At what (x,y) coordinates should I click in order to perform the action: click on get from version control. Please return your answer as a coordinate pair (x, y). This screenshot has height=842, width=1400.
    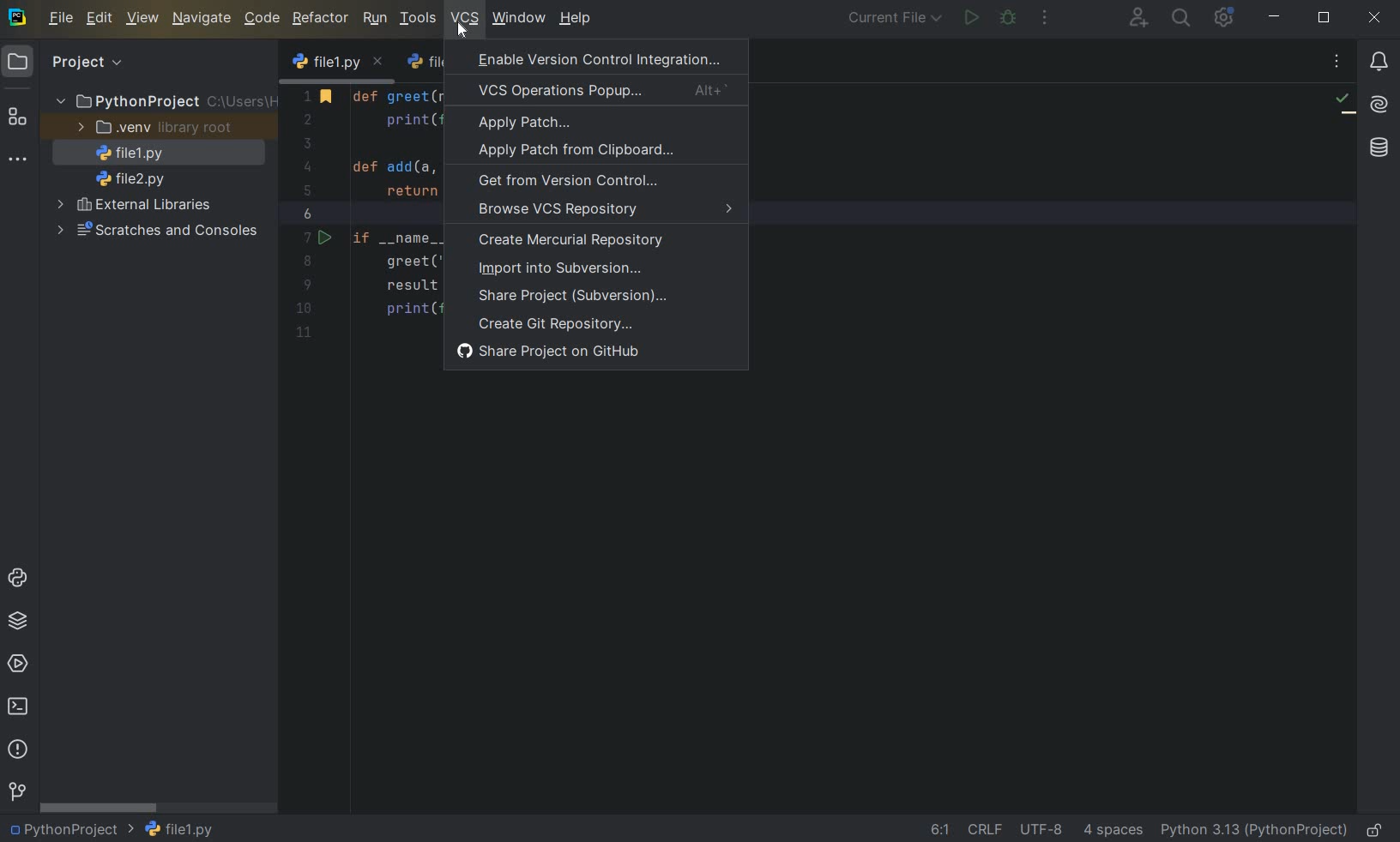
    Looking at the image, I should click on (572, 182).